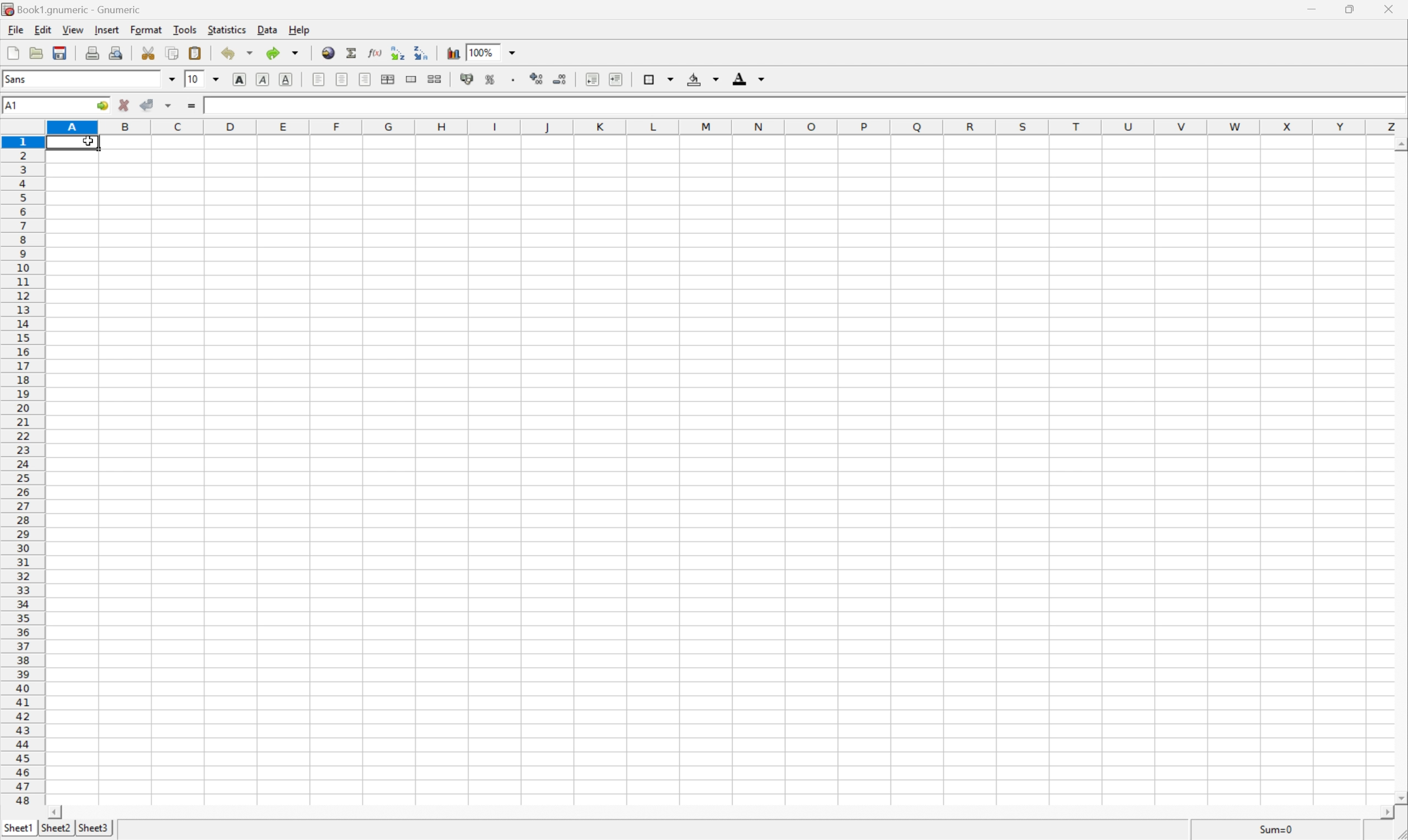 The height and width of the screenshot is (840, 1408). I want to click on open file, so click(38, 51).